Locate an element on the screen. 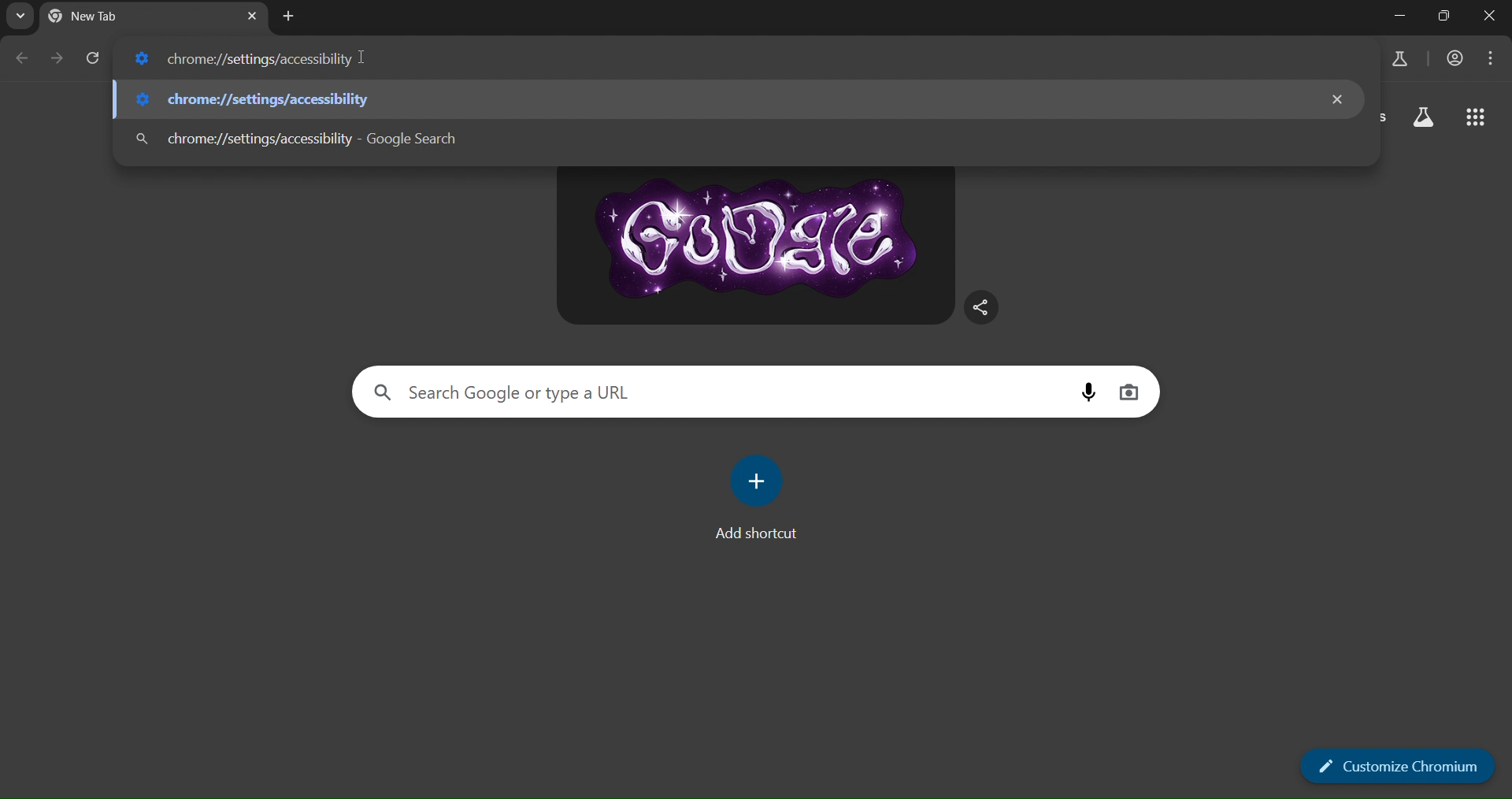 The width and height of the screenshot is (1512, 799). minimize is located at coordinates (1396, 20).